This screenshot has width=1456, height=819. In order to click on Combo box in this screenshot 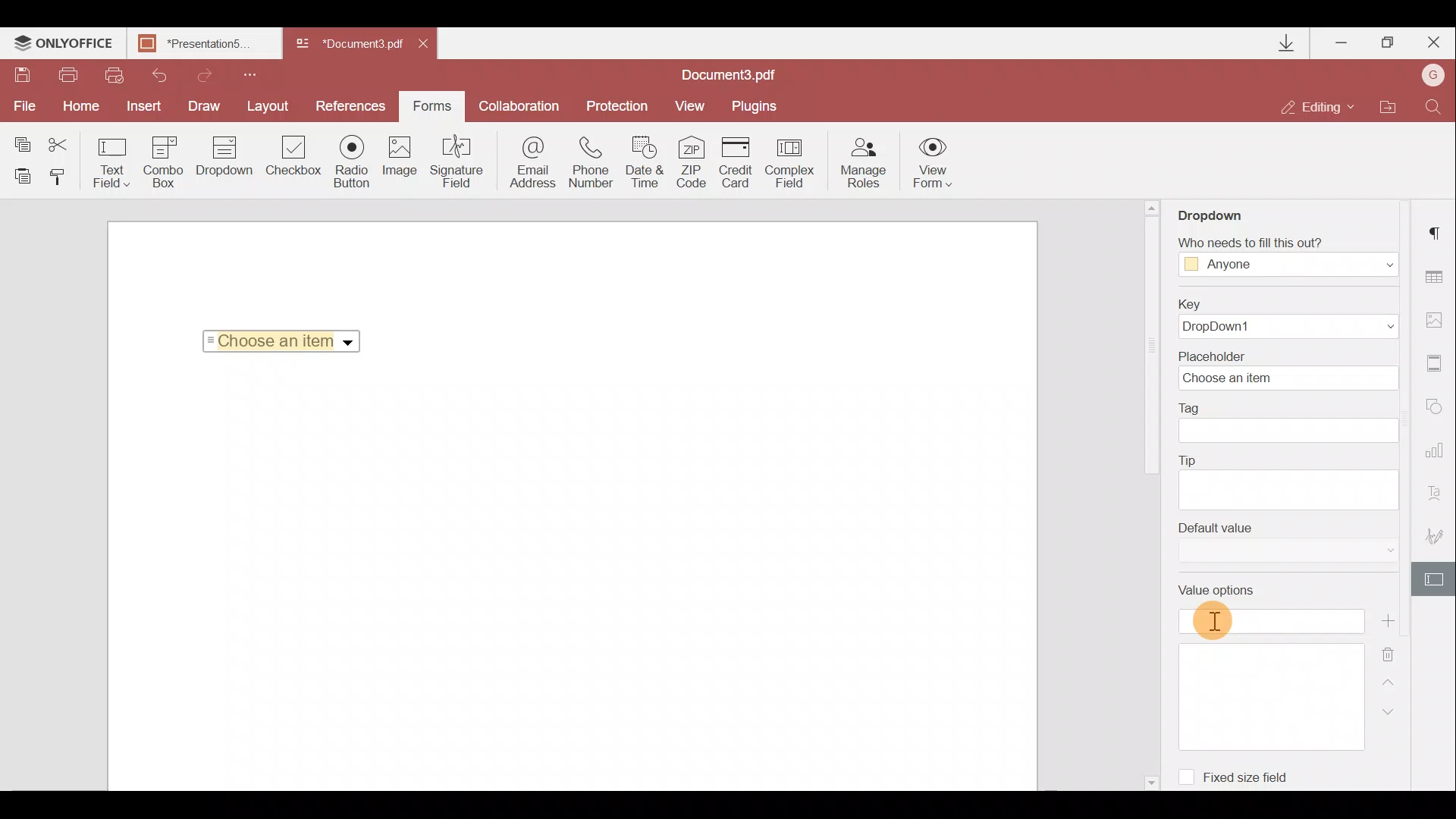, I will do `click(164, 159)`.